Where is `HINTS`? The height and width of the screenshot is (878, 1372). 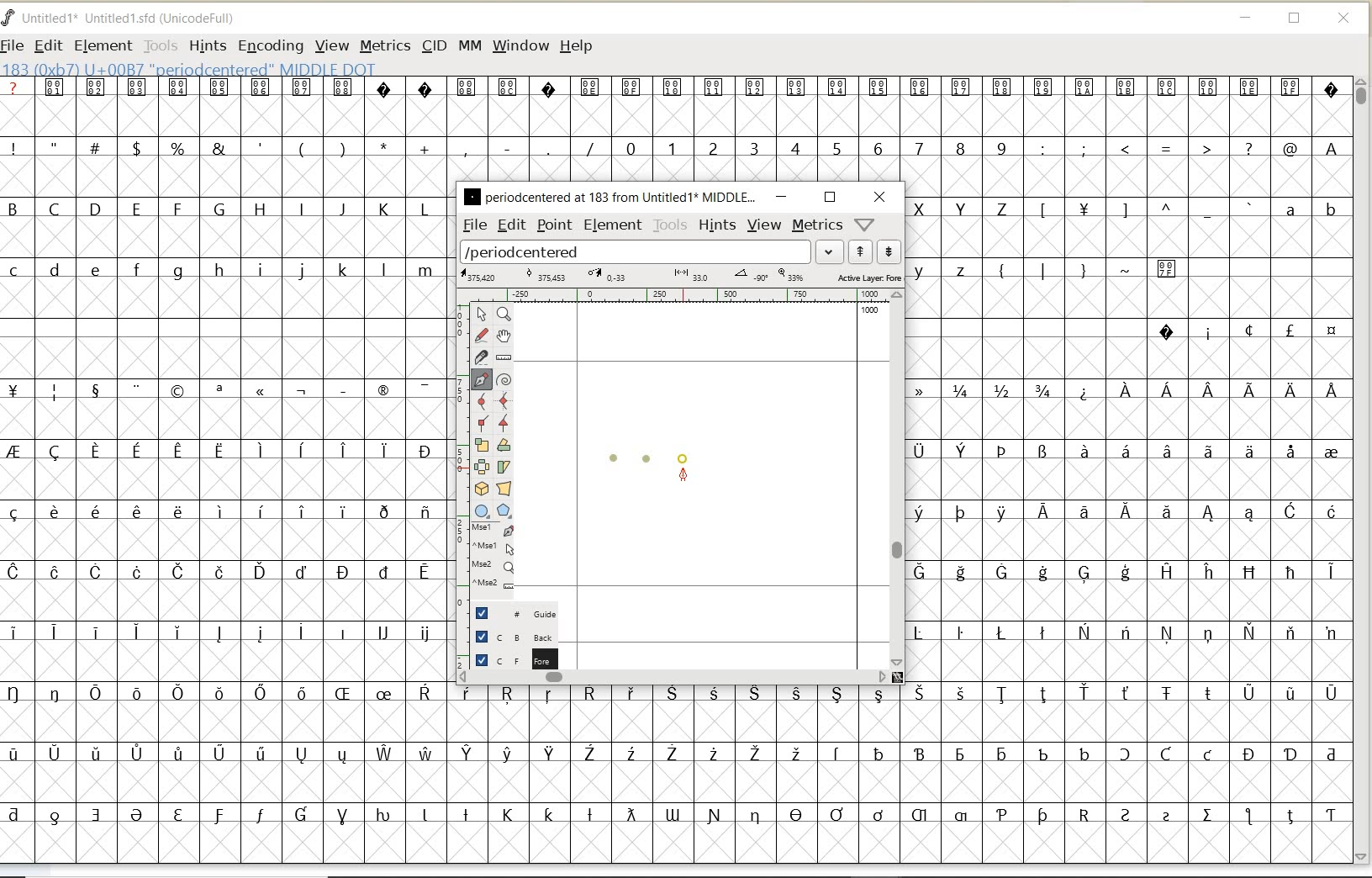
HINTS is located at coordinates (206, 45).